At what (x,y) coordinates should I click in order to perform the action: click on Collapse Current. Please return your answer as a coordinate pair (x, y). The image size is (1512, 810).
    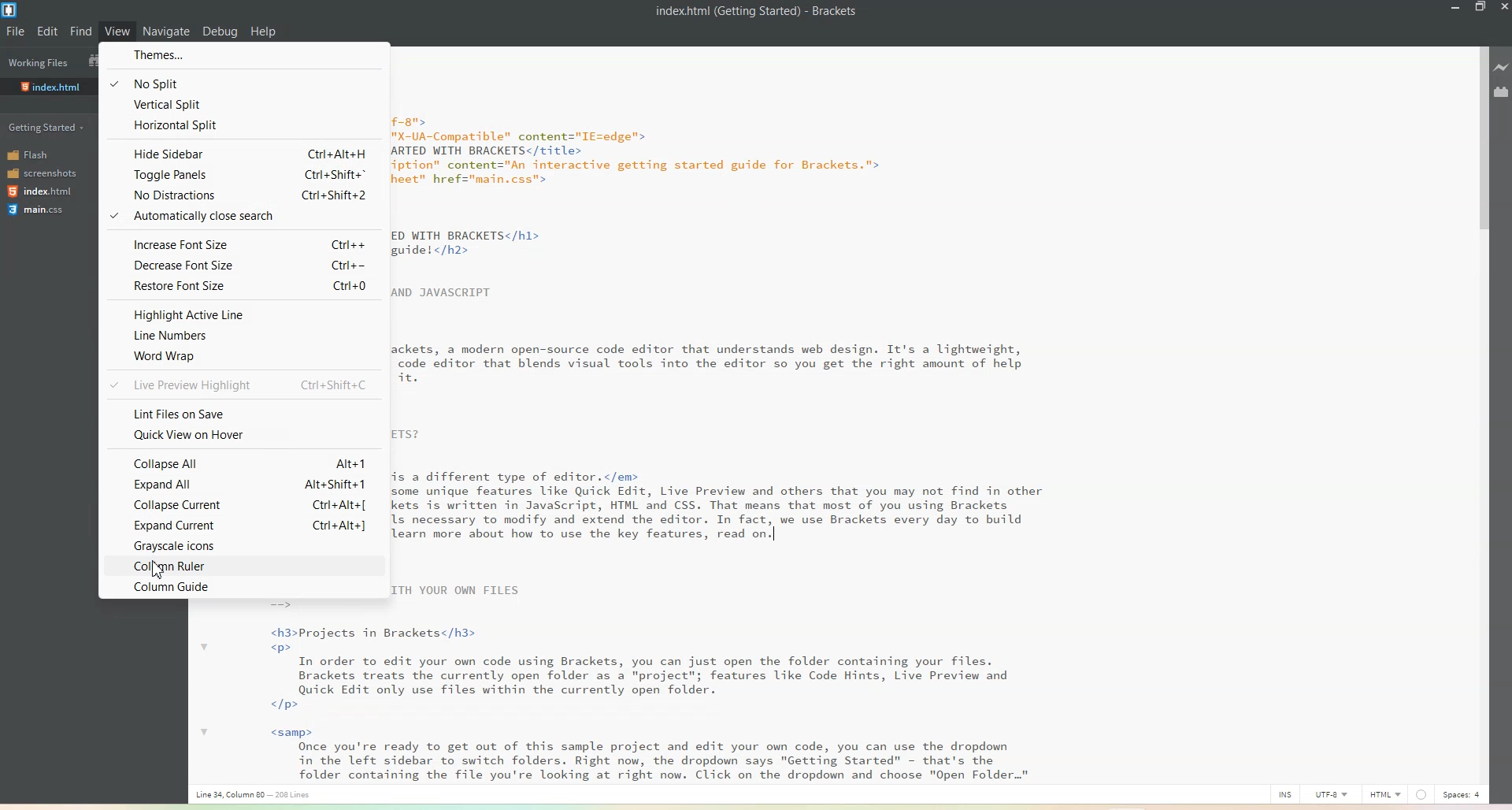
    Looking at the image, I should click on (243, 503).